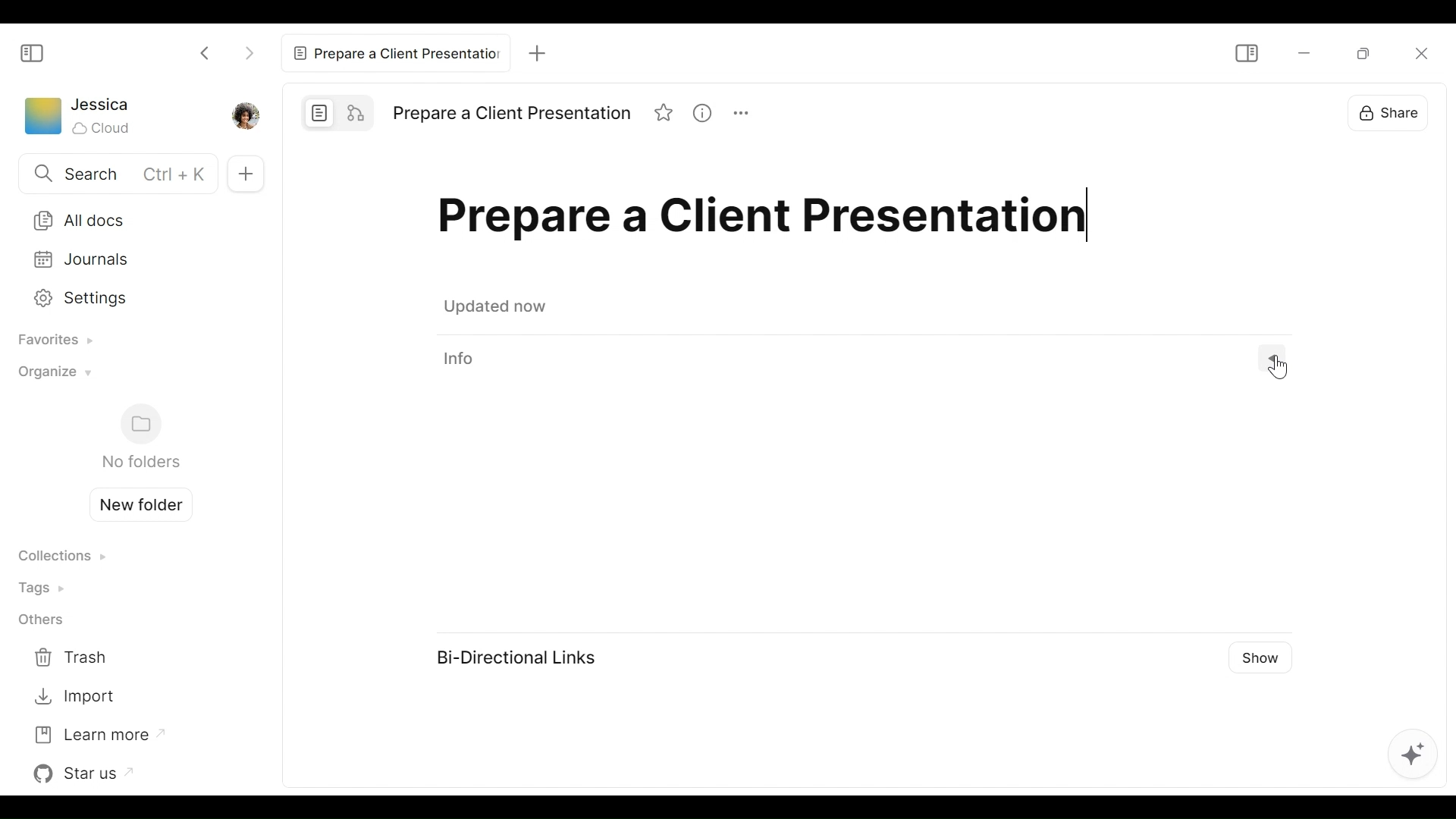 The height and width of the screenshot is (819, 1456). Describe the element at coordinates (42, 119) in the screenshot. I see `Workspace` at that location.